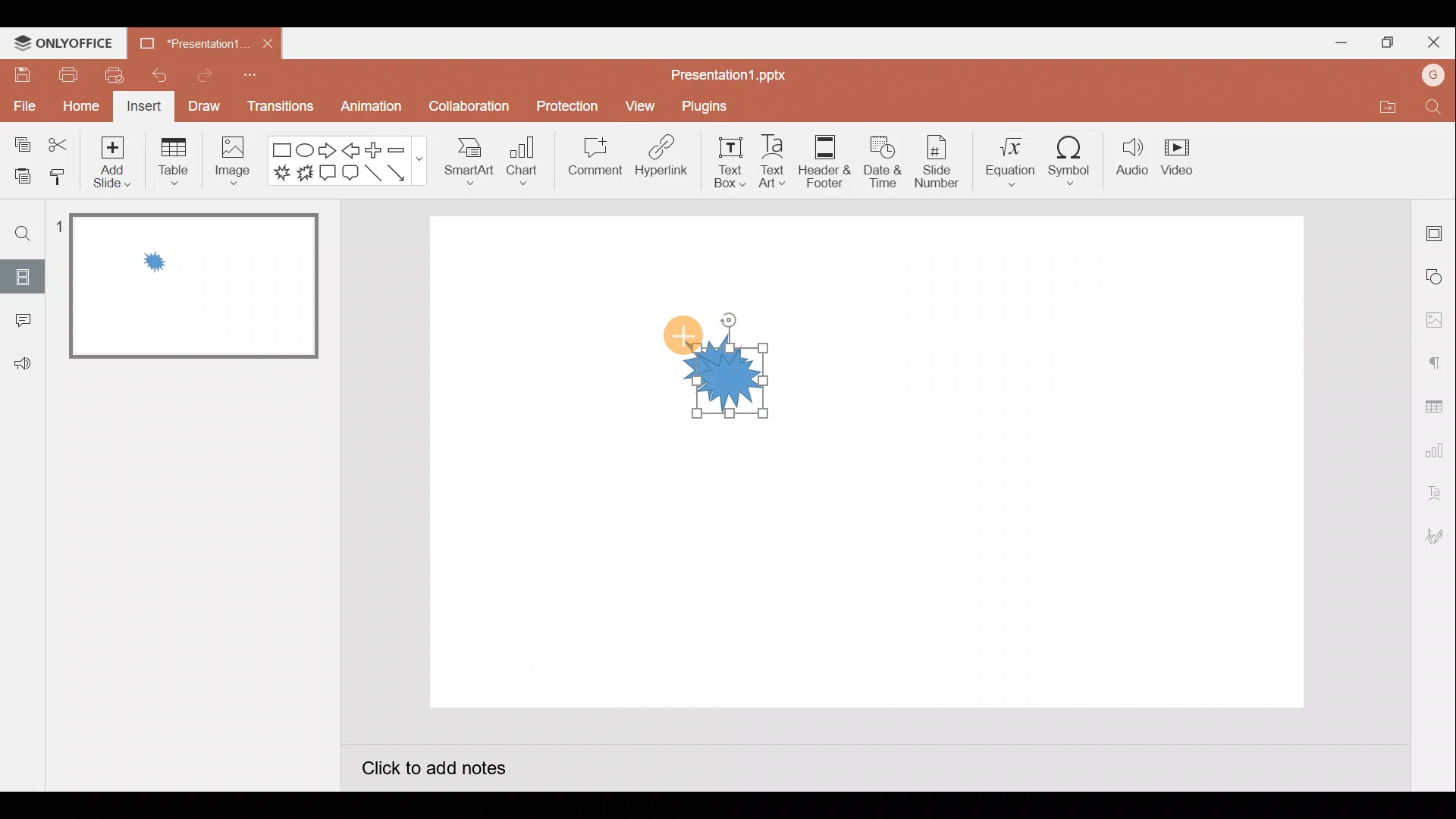  I want to click on ONLYOFFICE, so click(64, 42).